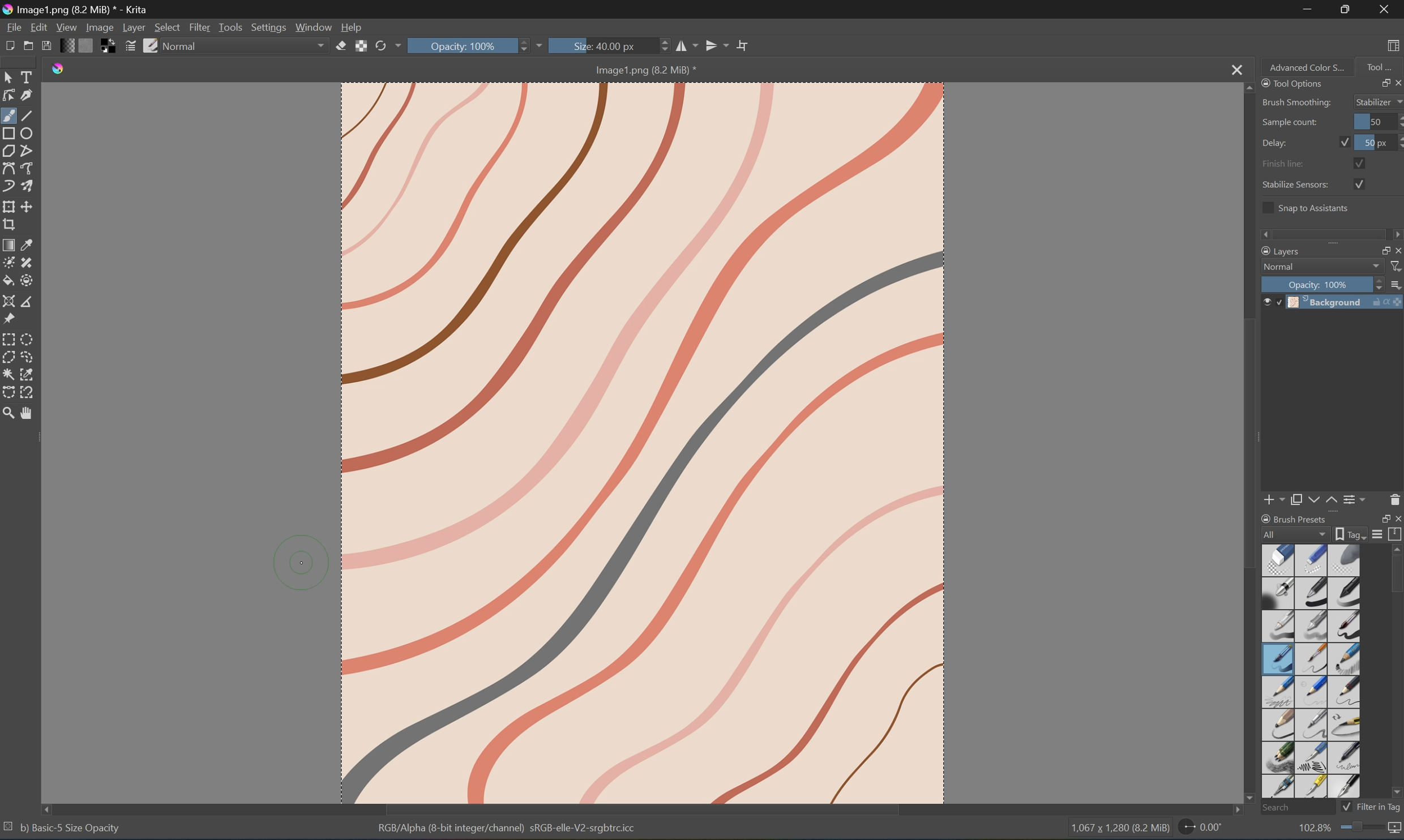 This screenshot has height=840, width=1404. I want to click on Checkbox, so click(1268, 209).